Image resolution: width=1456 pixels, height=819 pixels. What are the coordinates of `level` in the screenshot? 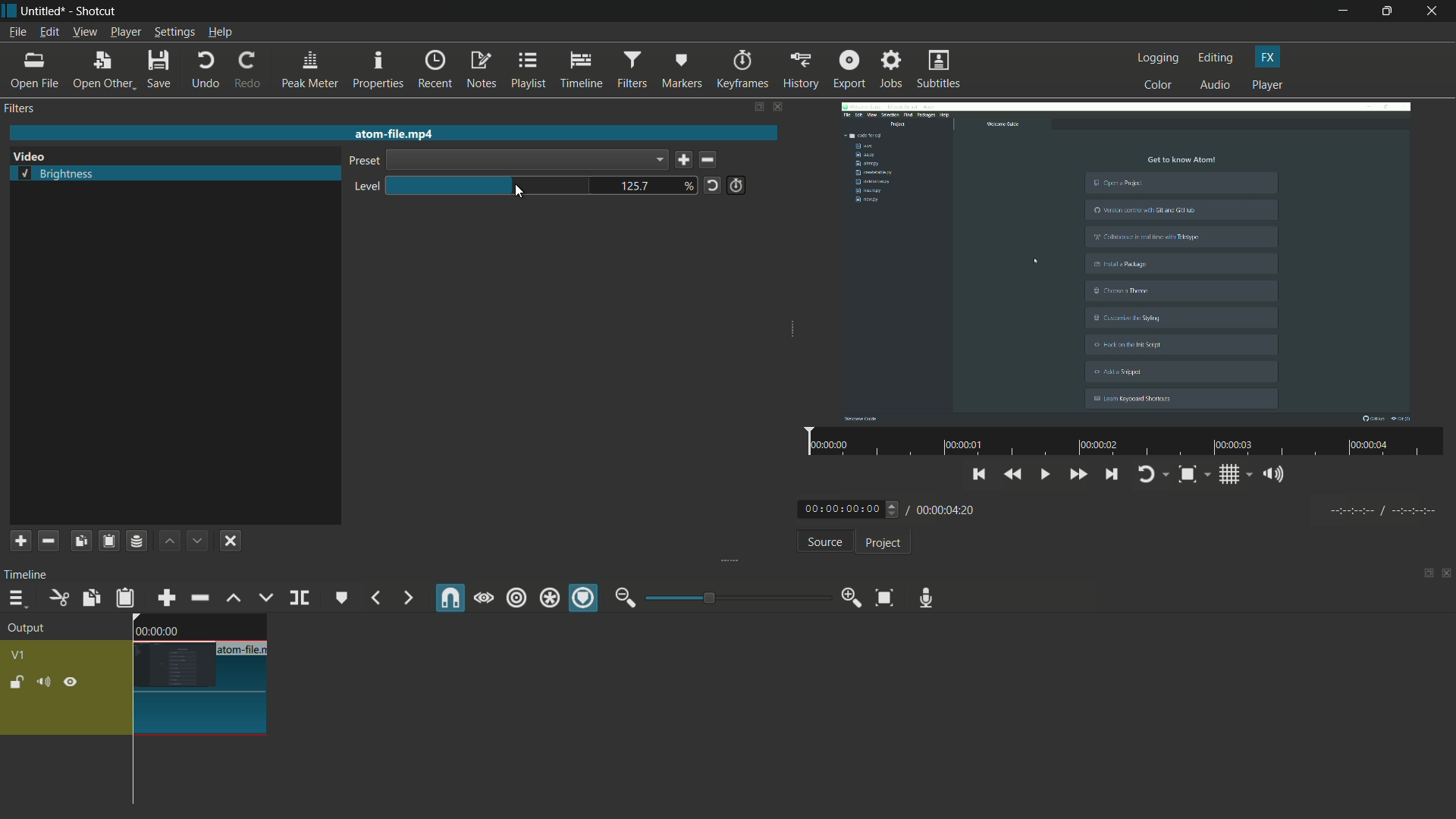 It's located at (363, 187).